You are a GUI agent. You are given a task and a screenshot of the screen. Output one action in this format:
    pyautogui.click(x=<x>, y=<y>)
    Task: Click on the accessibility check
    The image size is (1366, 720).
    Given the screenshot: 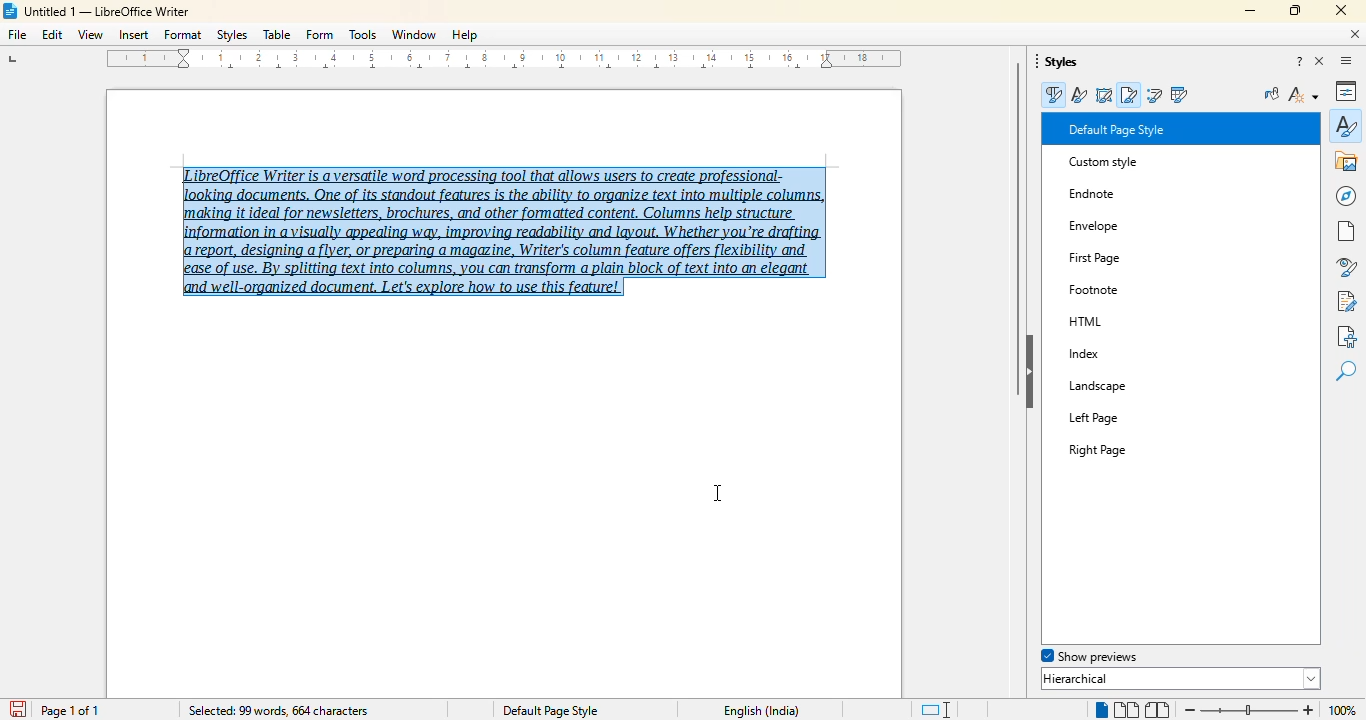 What is the action you would take?
    pyautogui.click(x=1346, y=336)
    